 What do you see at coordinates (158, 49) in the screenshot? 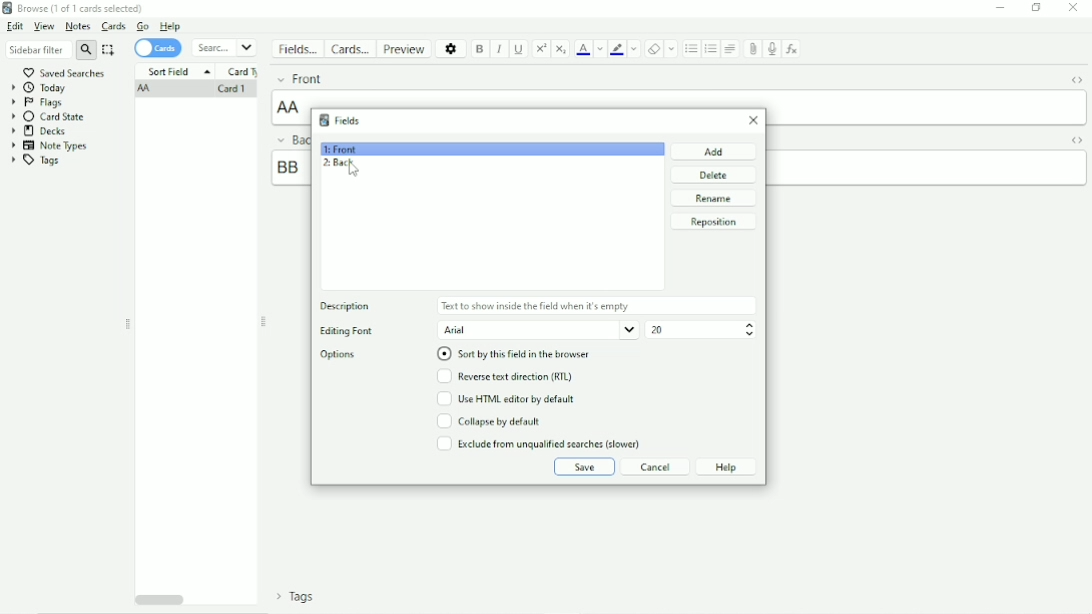
I see `Cards` at bounding box center [158, 49].